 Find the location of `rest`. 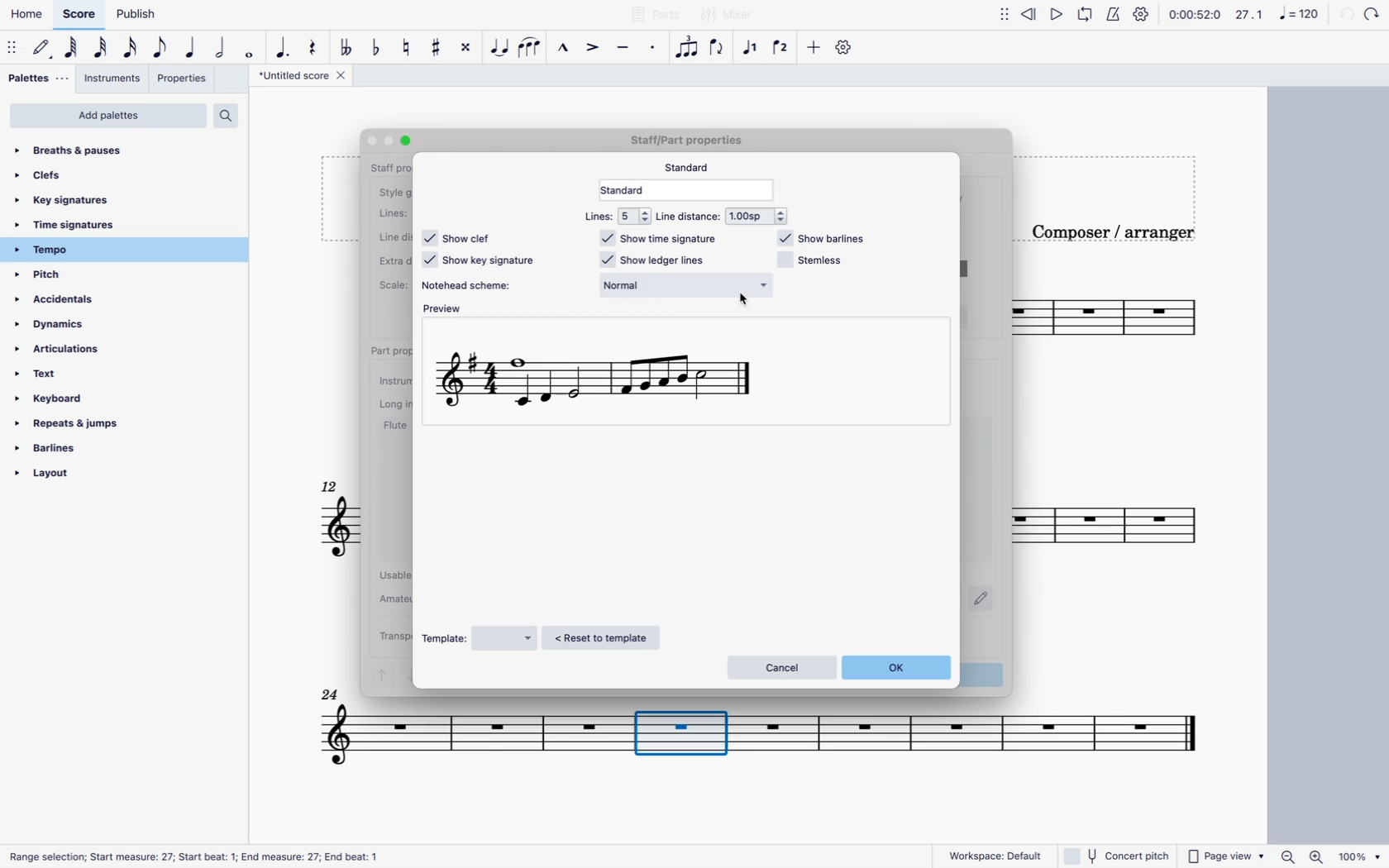

rest is located at coordinates (316, 48).